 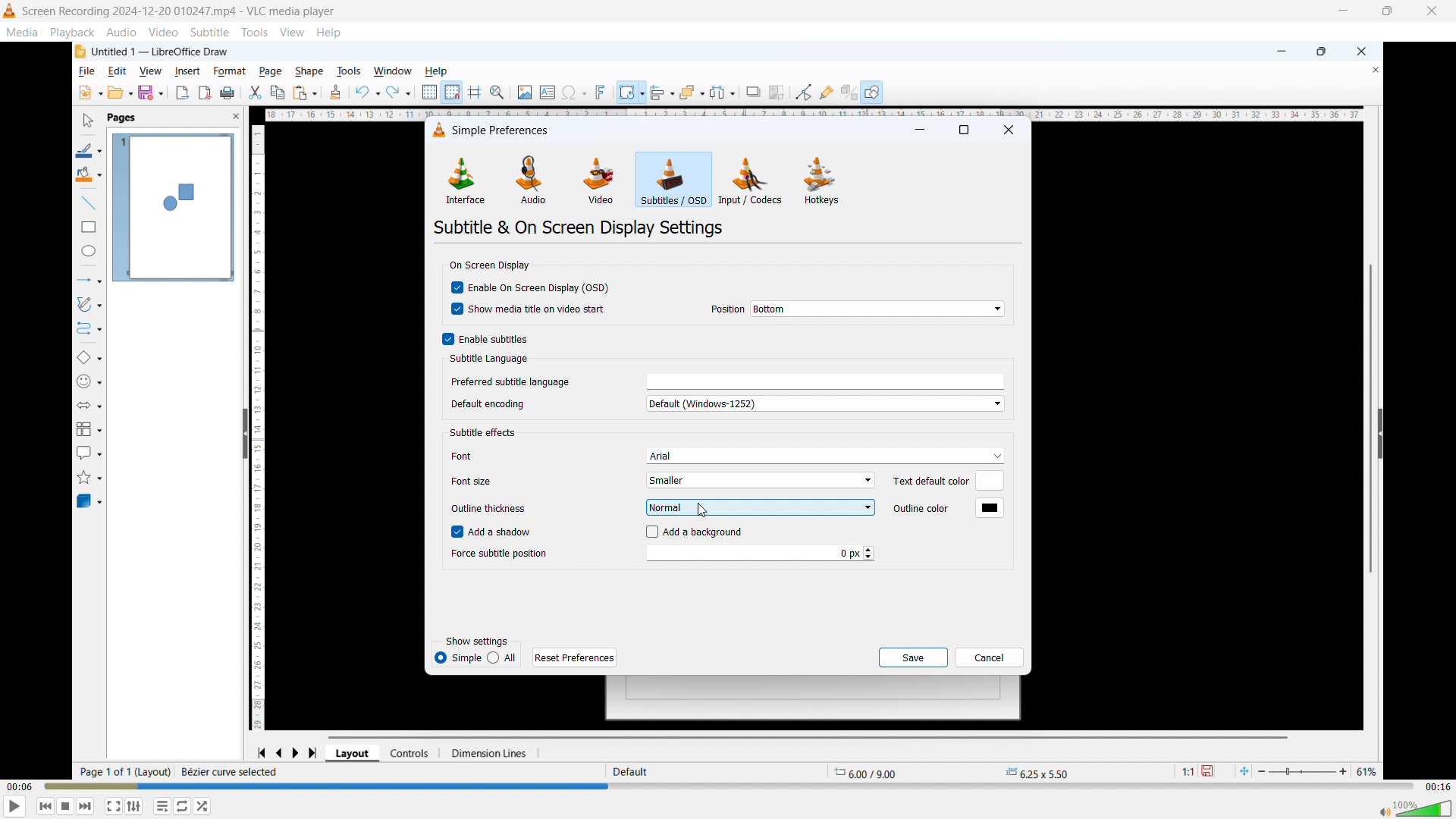 I want to click on save, so click(x=914, y=658).